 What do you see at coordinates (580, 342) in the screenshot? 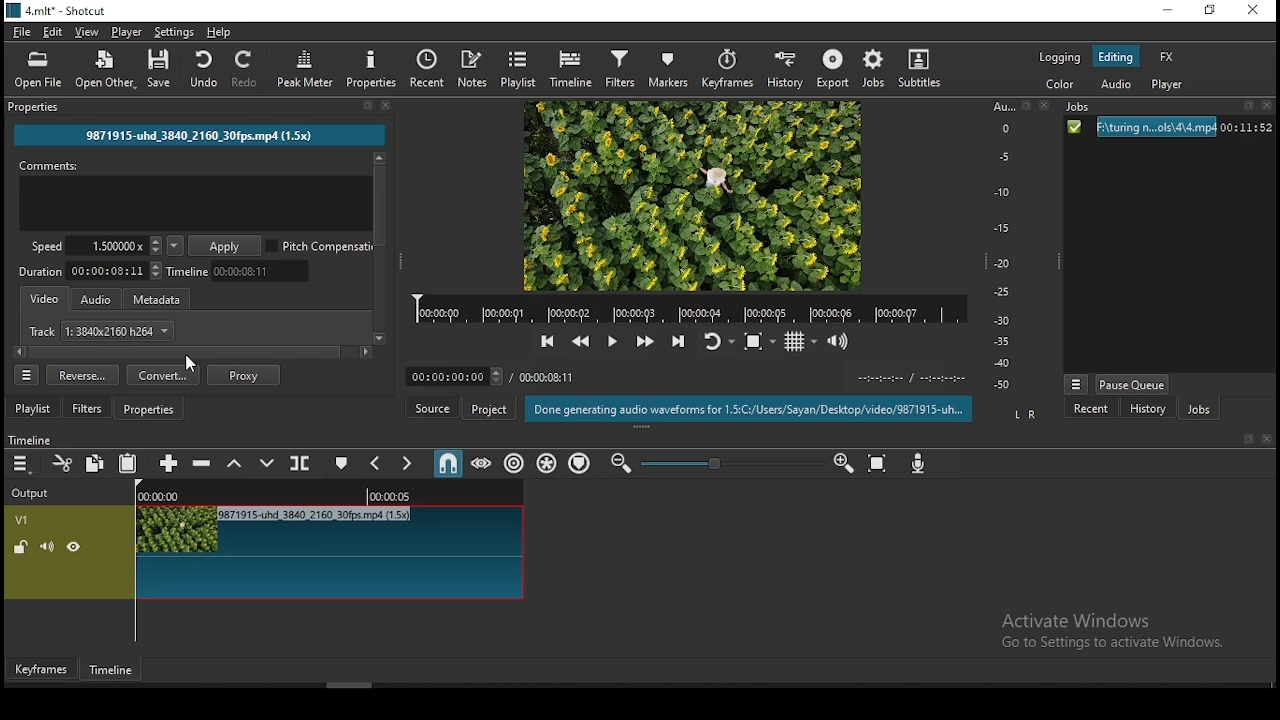
I see `play quickly backwards` at bounding box center [580, 342].